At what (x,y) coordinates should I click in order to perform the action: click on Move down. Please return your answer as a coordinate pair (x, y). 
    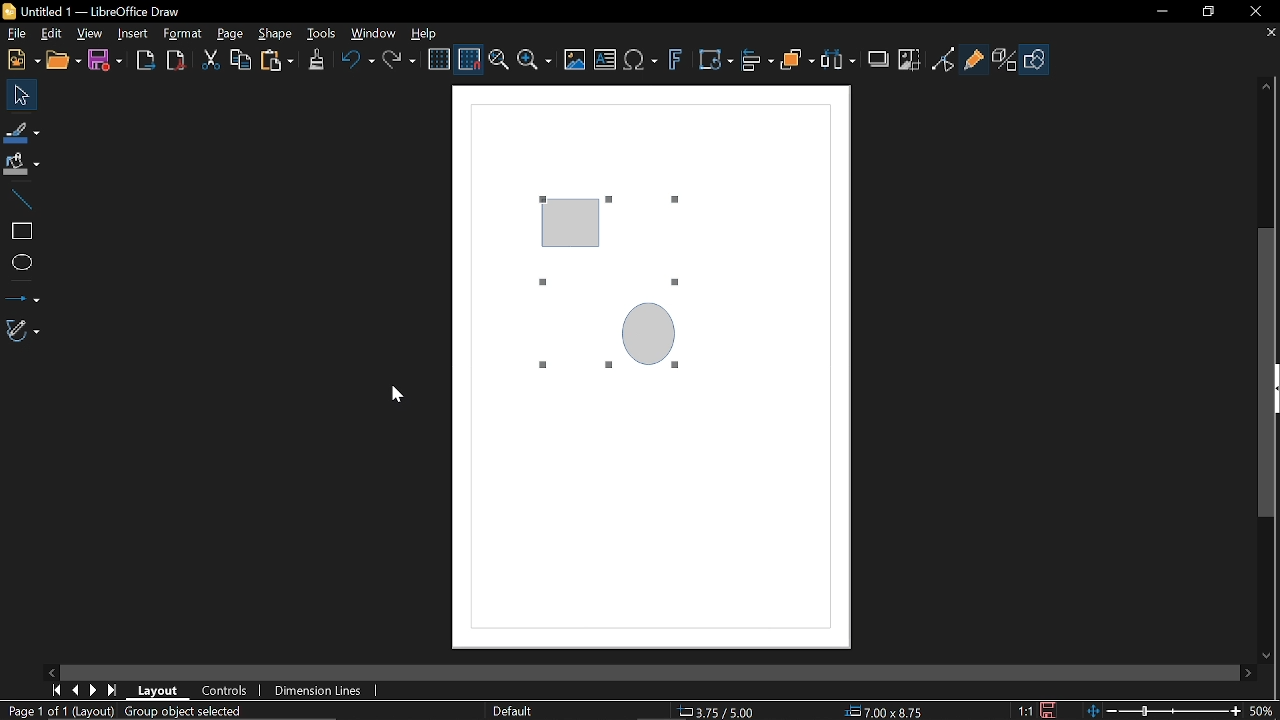
    Looking at the image, I should click on (1267, 657).